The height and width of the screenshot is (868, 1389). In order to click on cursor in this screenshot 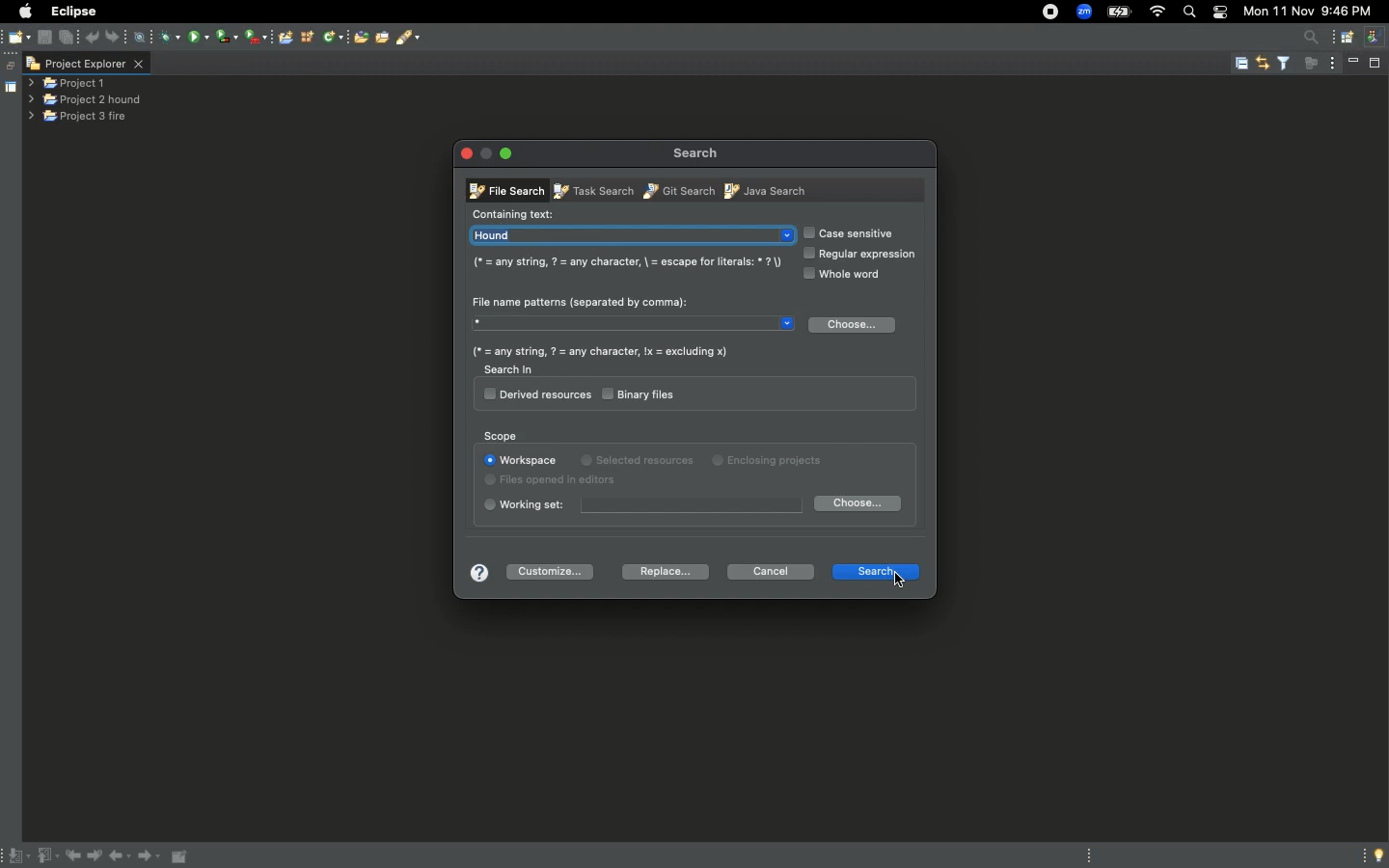, I will do `click(894, 580)`.